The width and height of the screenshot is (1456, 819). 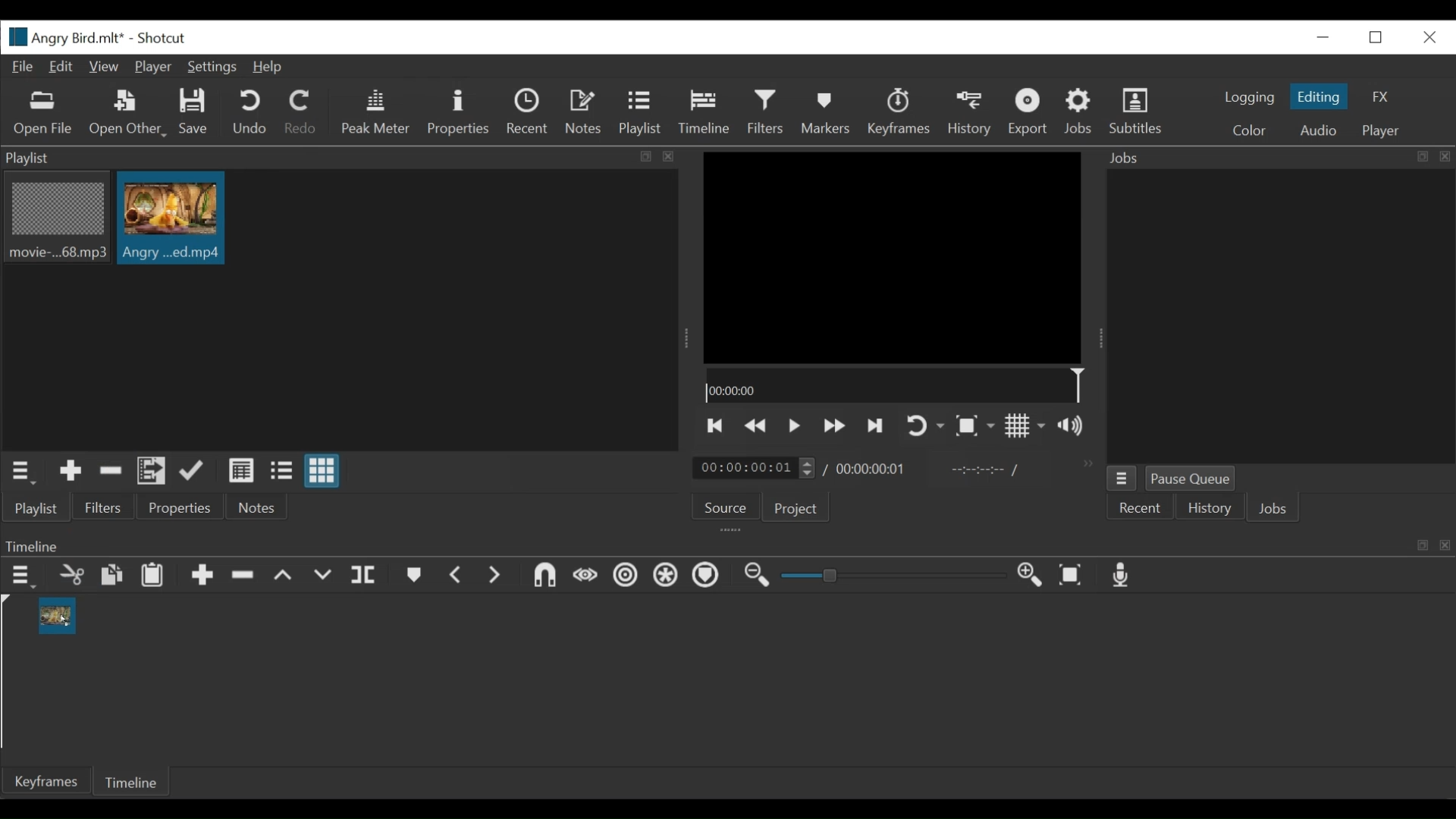 I want to click on Filters, so click(x=105, y=507).